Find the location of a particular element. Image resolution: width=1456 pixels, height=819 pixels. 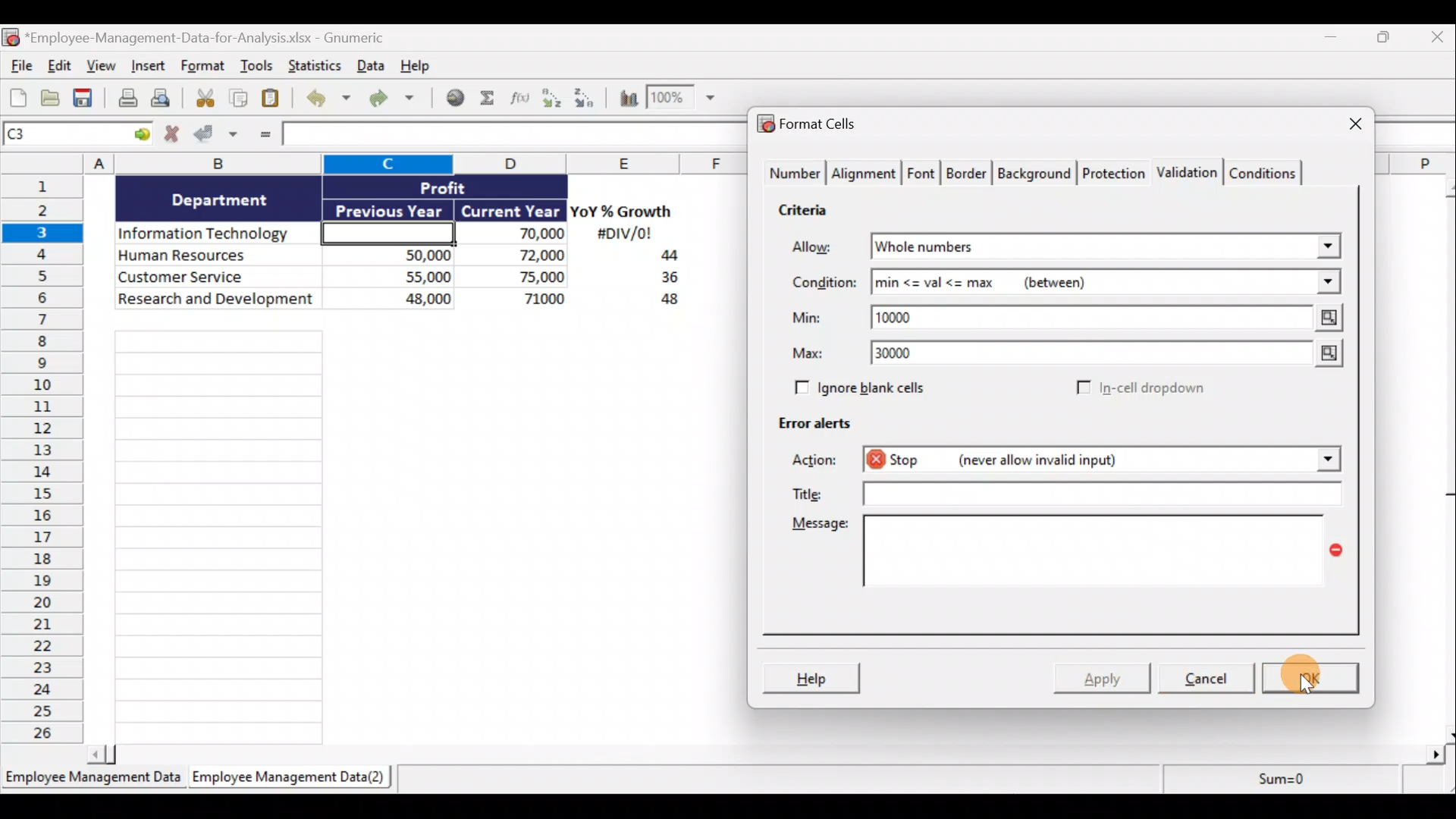

#DIV/0! is located at coordinates (623, 234).